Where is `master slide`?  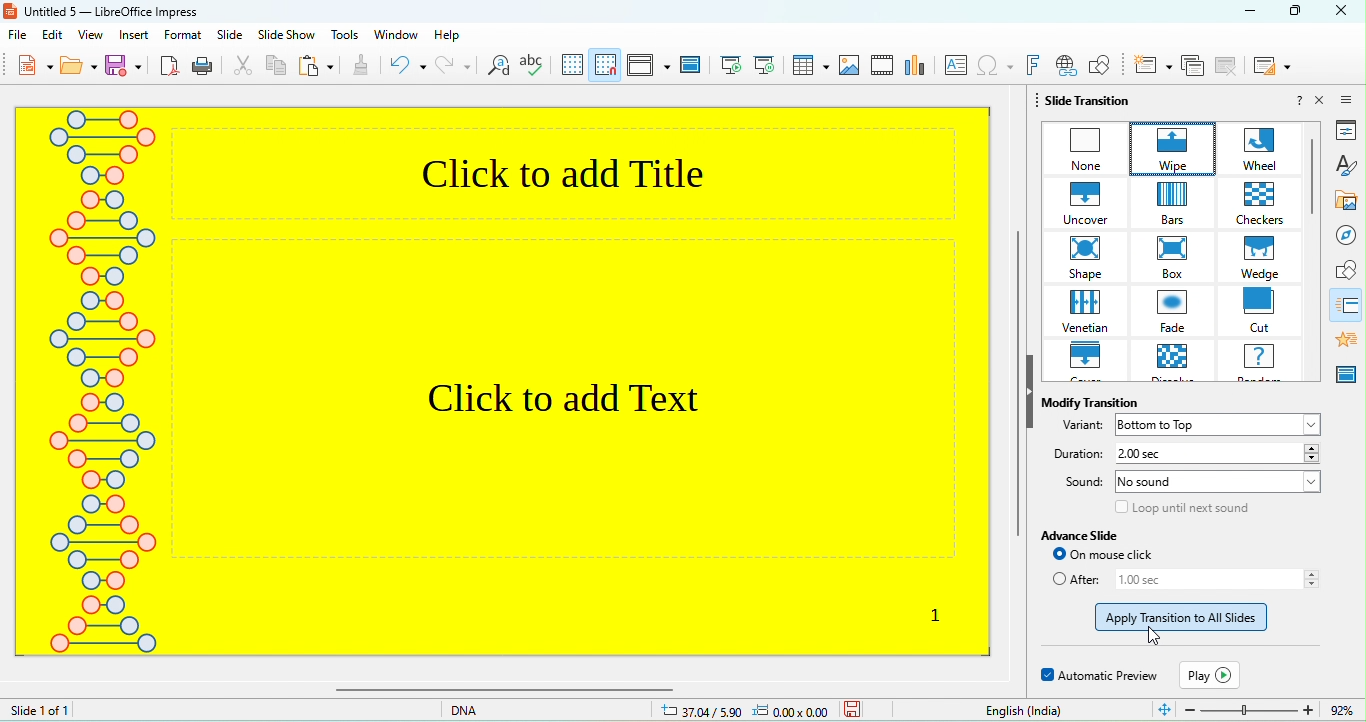
master slide is located at coordinates (1349, 372).